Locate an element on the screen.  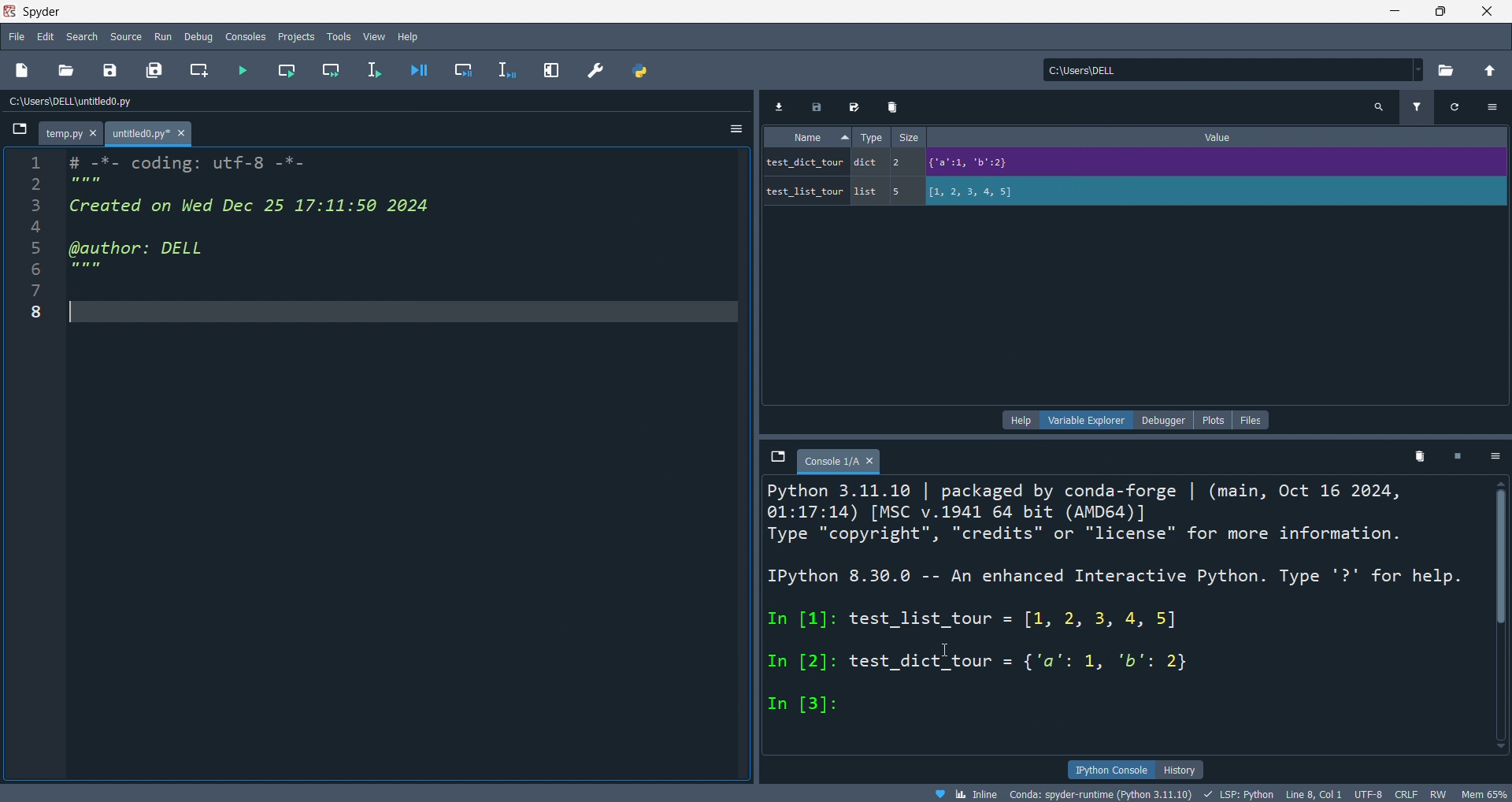
variable explorer is located at coordinates (1086, 419).